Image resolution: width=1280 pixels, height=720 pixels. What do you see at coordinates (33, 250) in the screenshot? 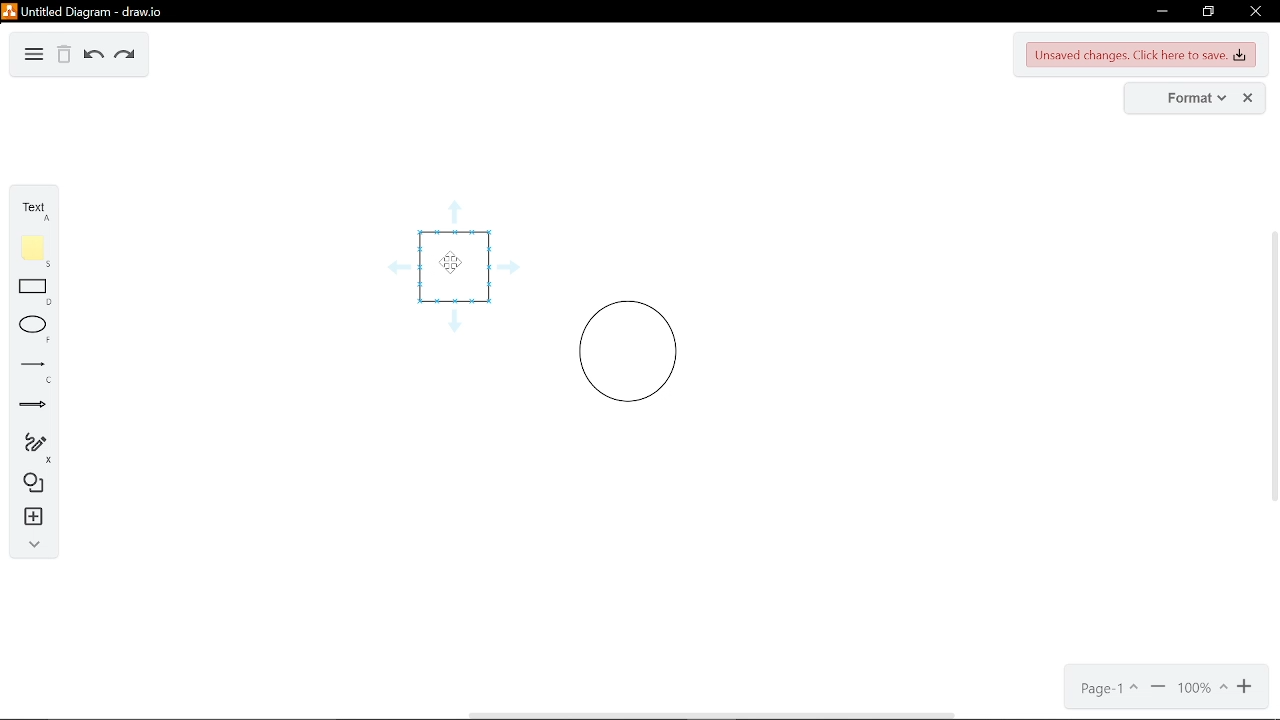
I see `note` at bounding box center [33, 250].